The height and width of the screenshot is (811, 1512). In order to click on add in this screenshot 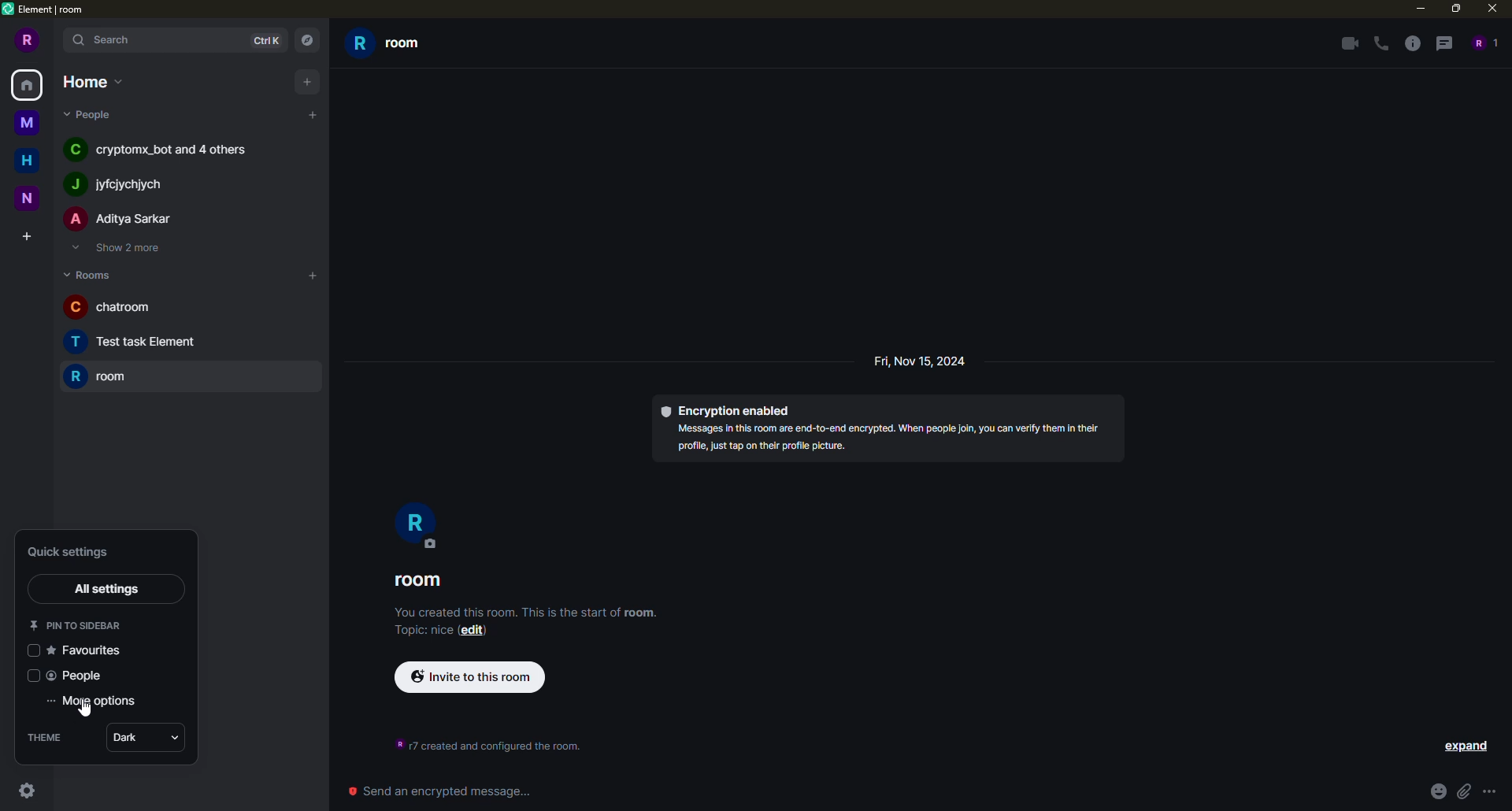, I will do `click(313, 113)`.